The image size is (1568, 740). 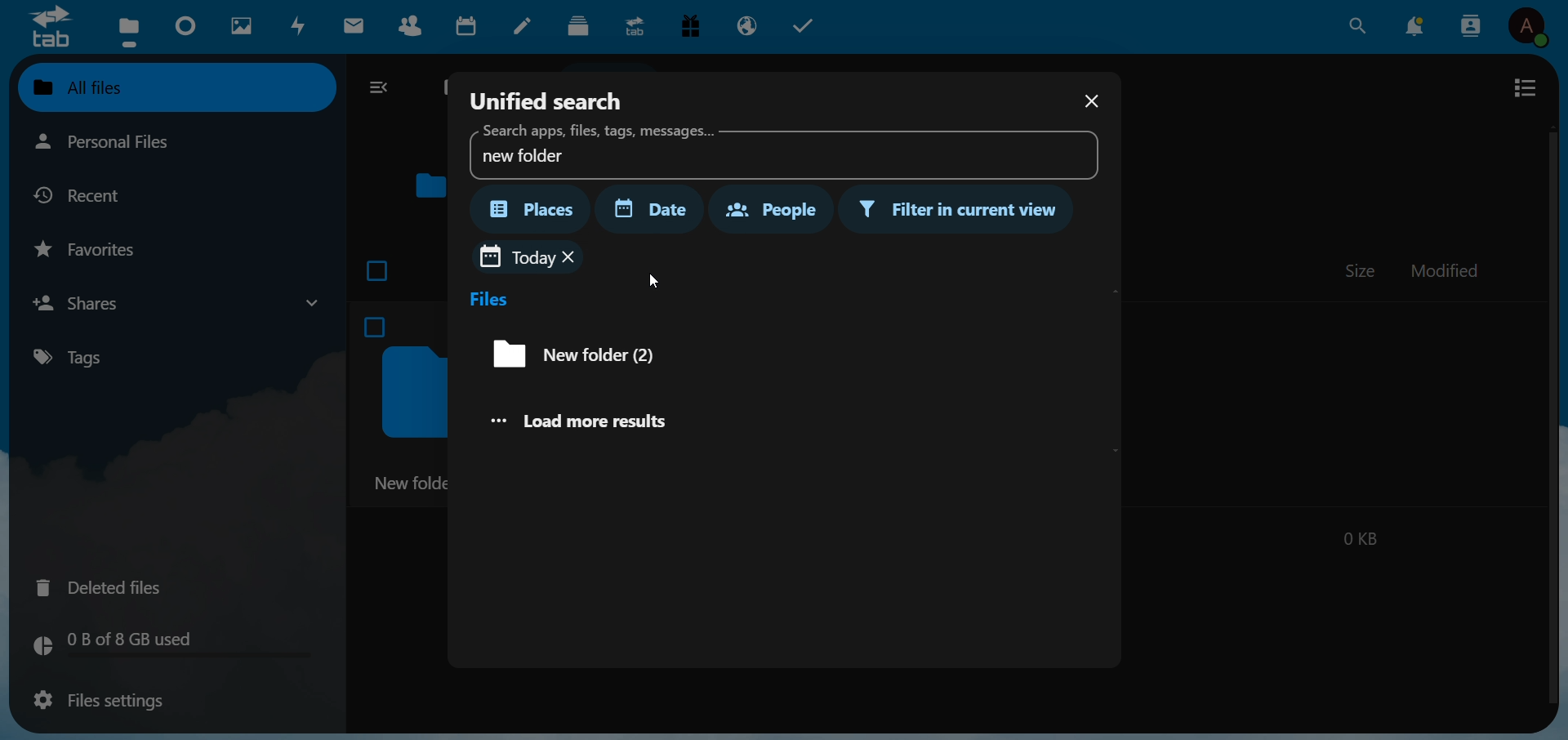 I want to click on tags, so click(x=82, y=357).